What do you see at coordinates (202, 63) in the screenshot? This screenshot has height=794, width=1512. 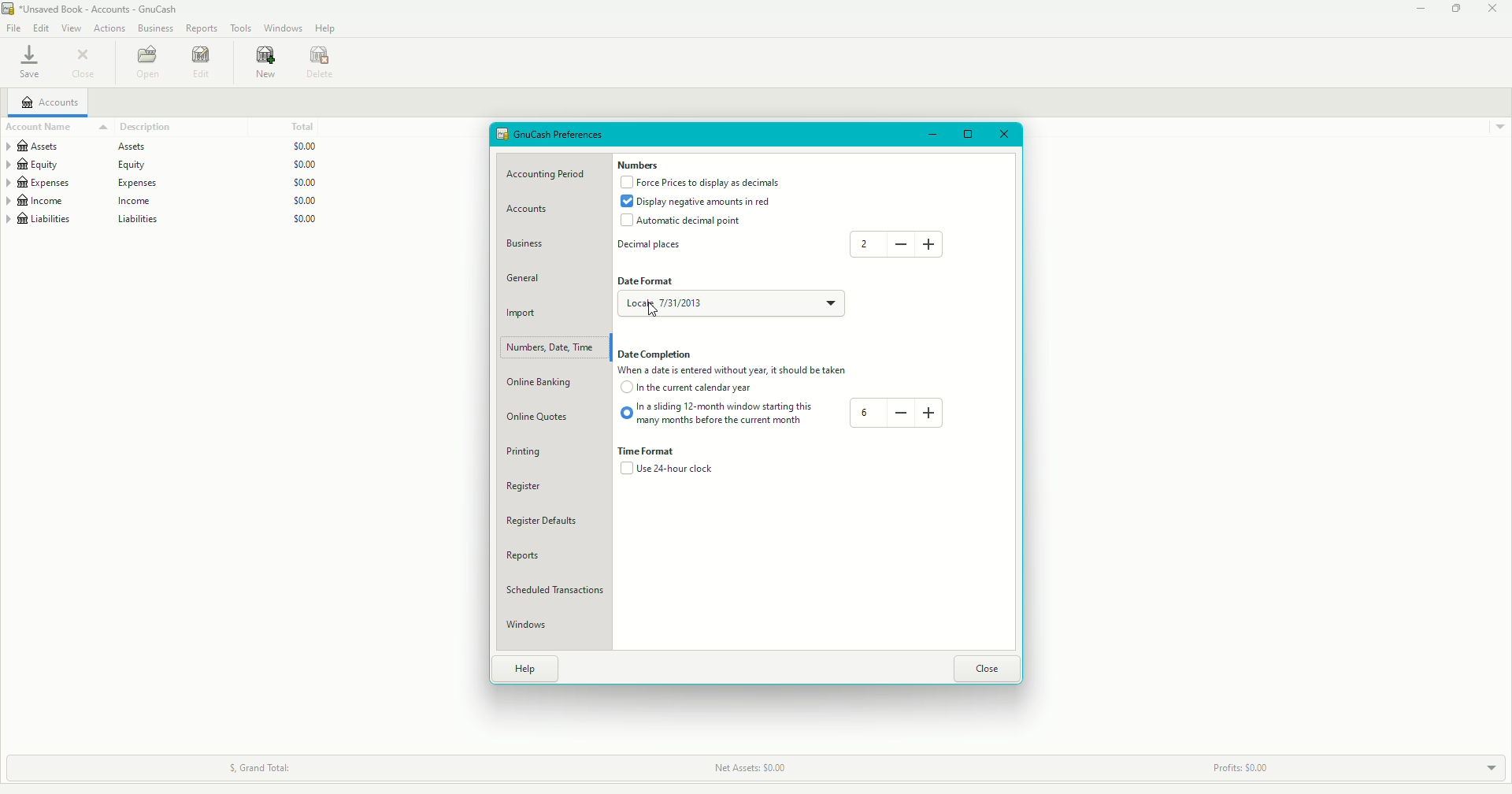 I see `Edit` at bounding box center [202, 63].